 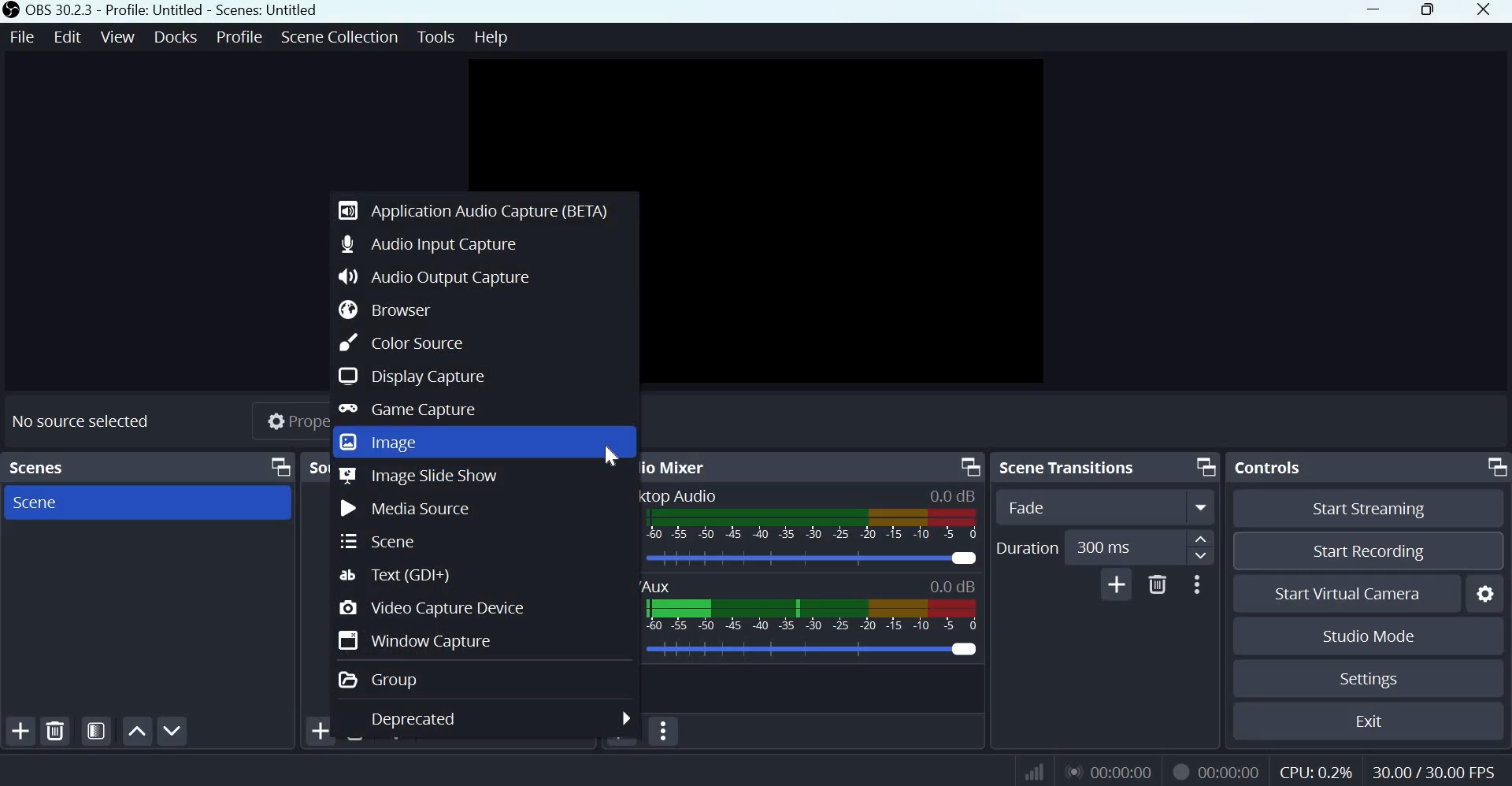 I want to click on Image, so click(x=381, y=442).